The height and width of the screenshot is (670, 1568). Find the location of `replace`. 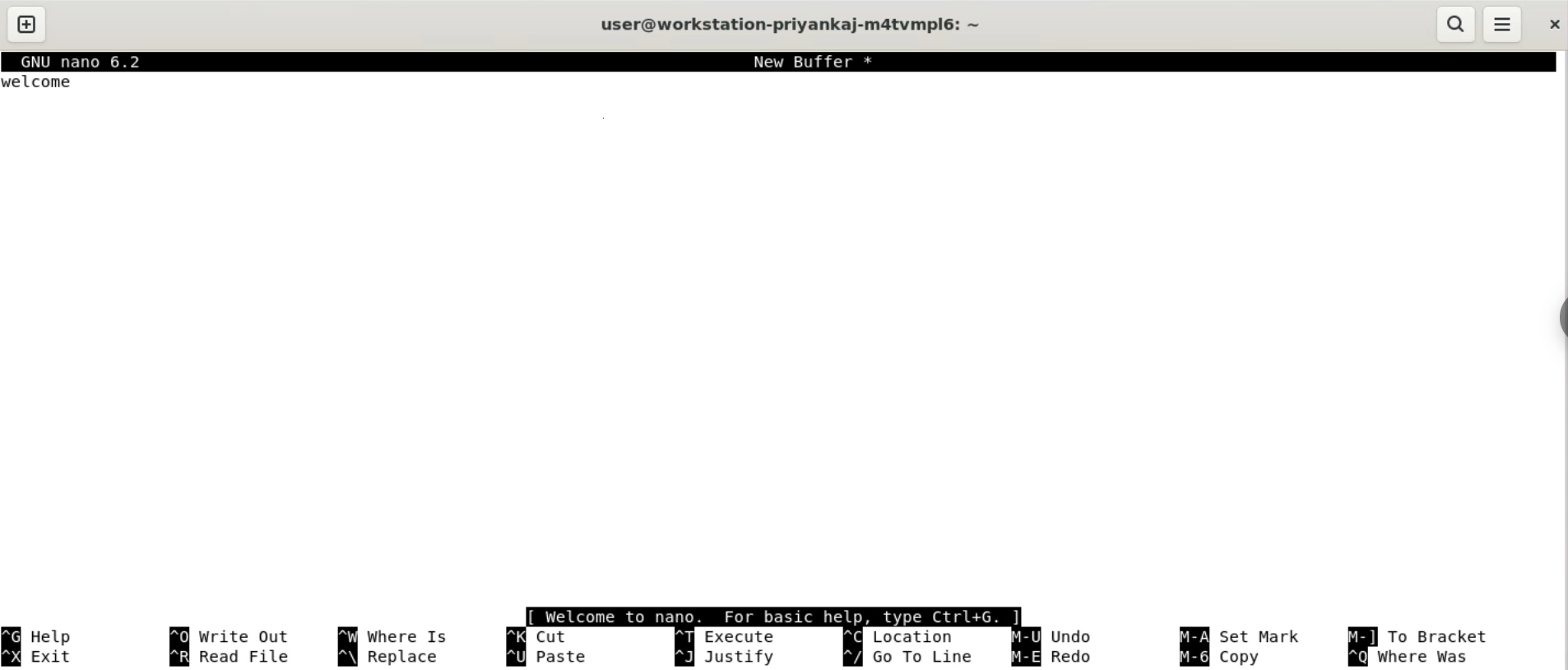

replace is located at coordinates (392, 658).